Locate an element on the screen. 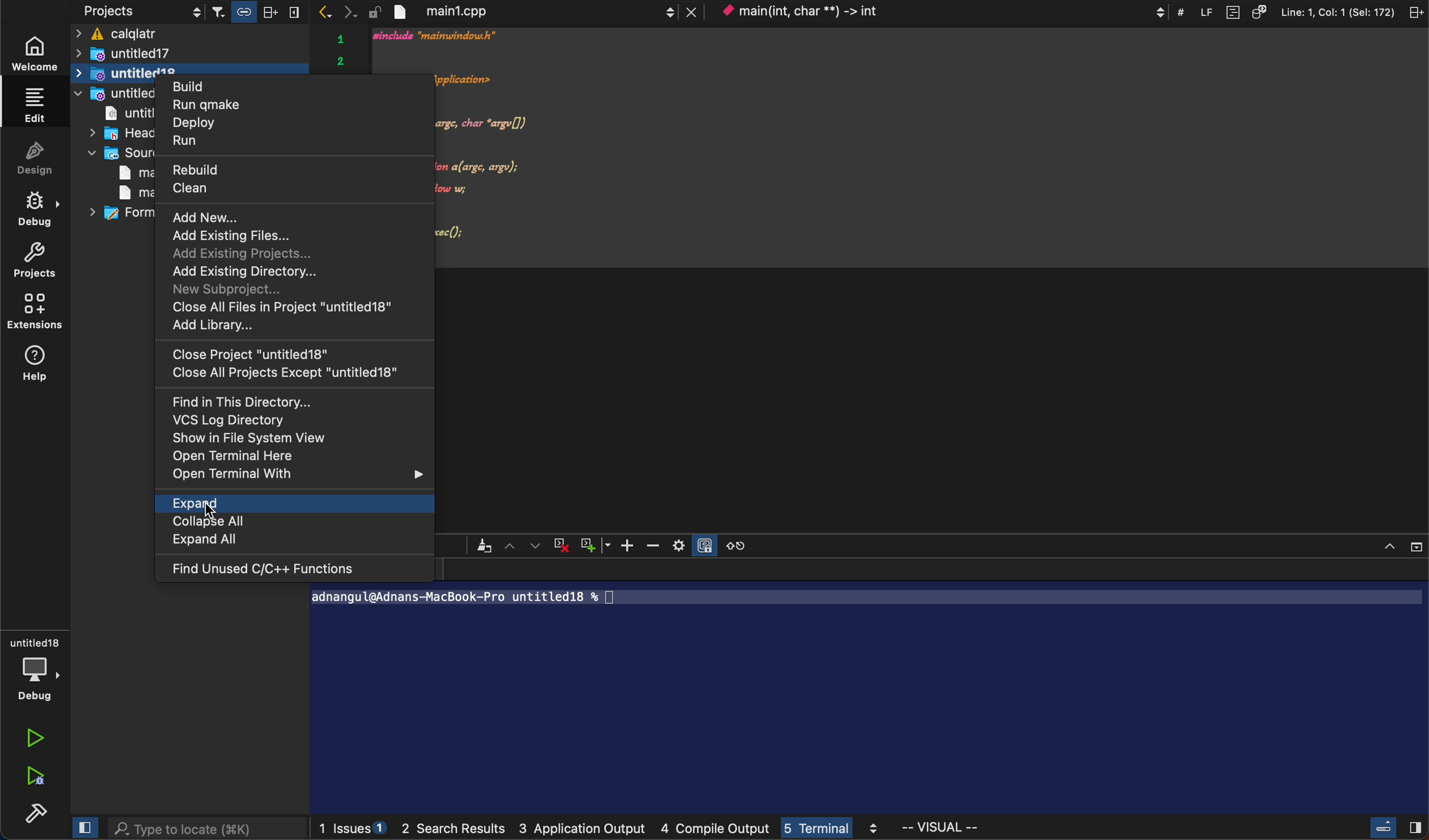 This screenshot has height=840, width=1429. terminal is located at coordinates (873, 685).